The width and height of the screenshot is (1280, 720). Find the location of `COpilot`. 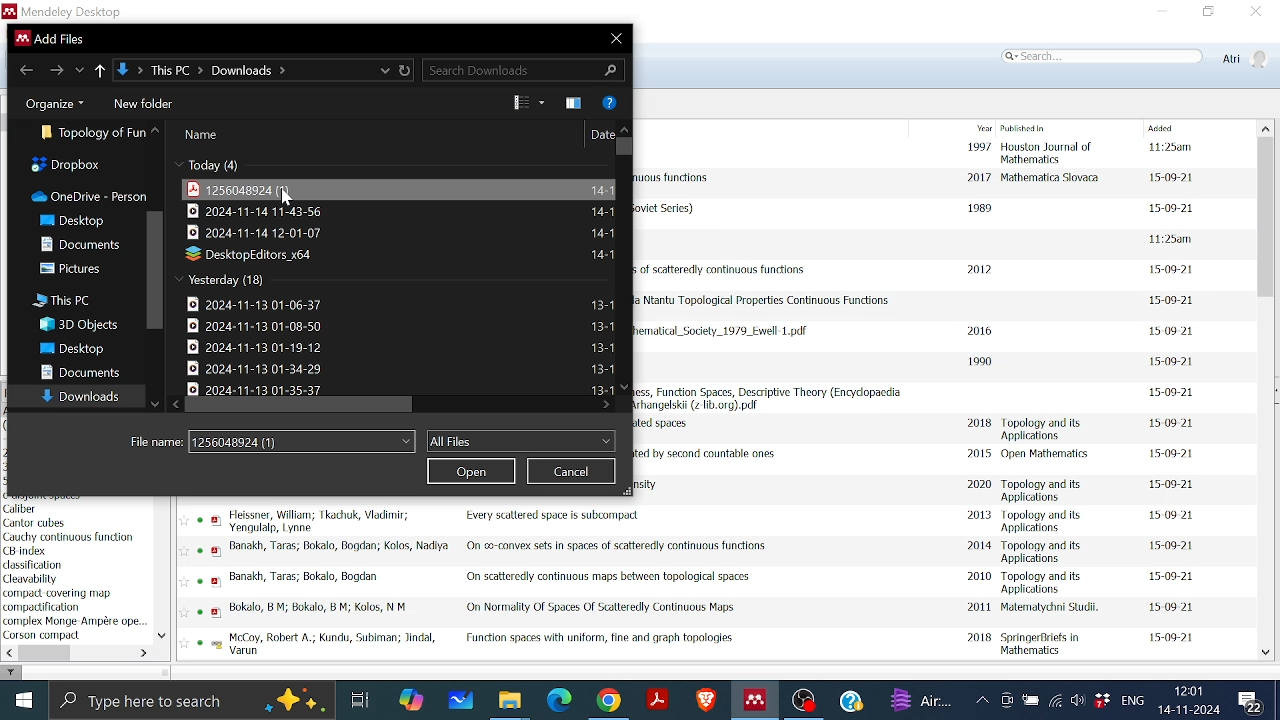

COpilot is located at coordinates (410, 700).